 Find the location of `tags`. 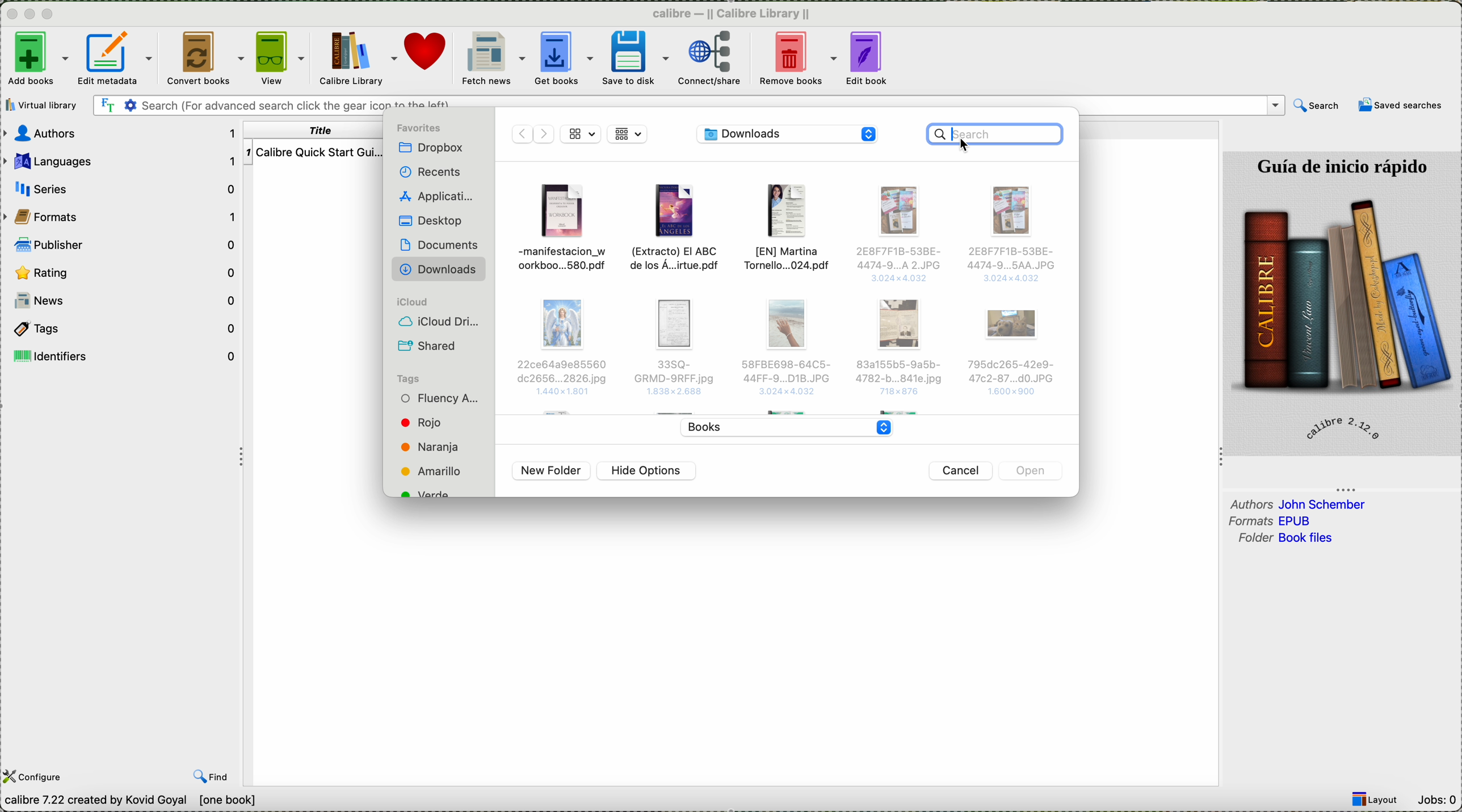

tags is located at coordinates (409, 377).